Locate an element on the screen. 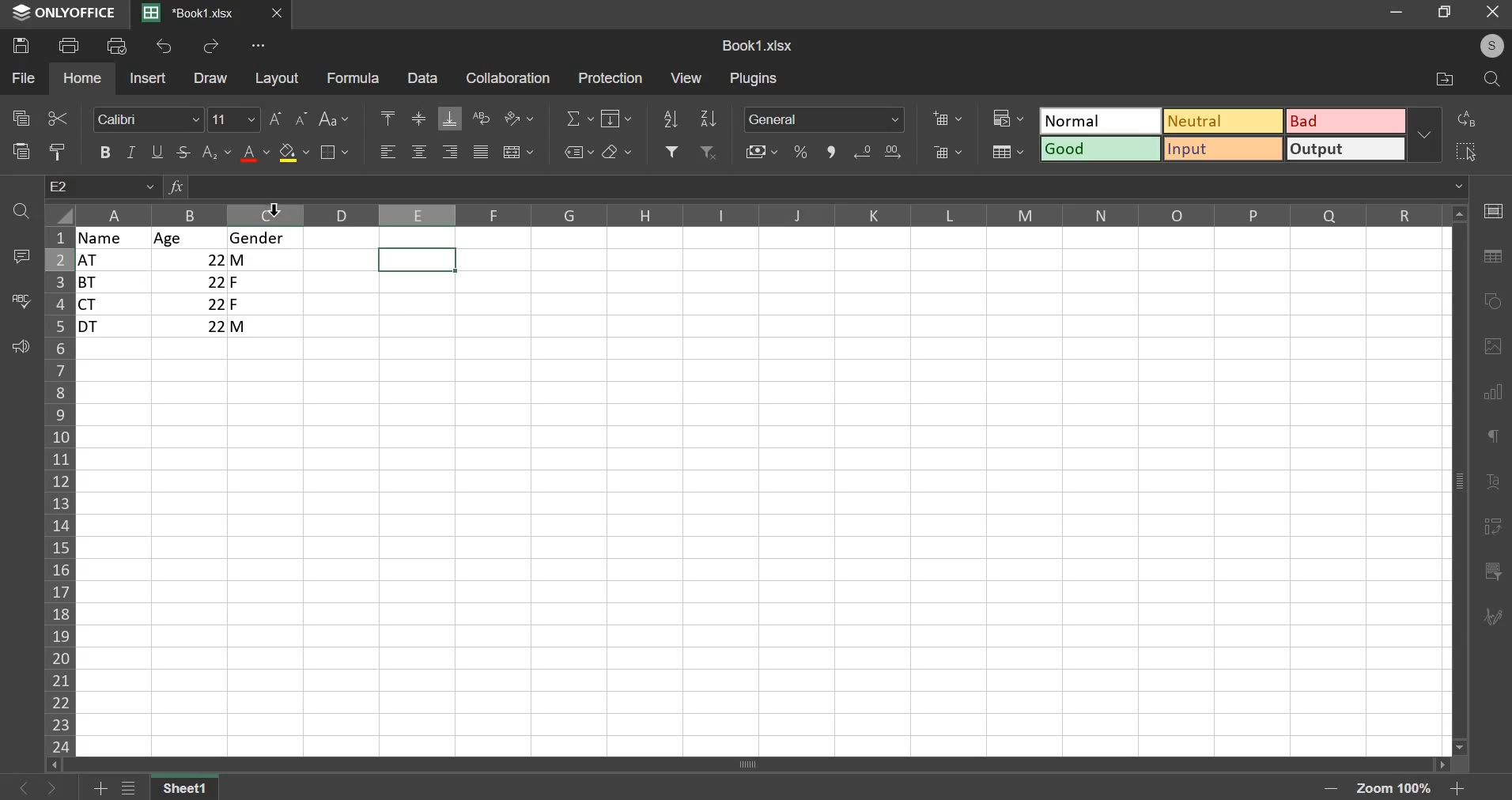 Image resolution: width=1512 pixels, height=800 pixels. dt is located at coordinates (115, 327).